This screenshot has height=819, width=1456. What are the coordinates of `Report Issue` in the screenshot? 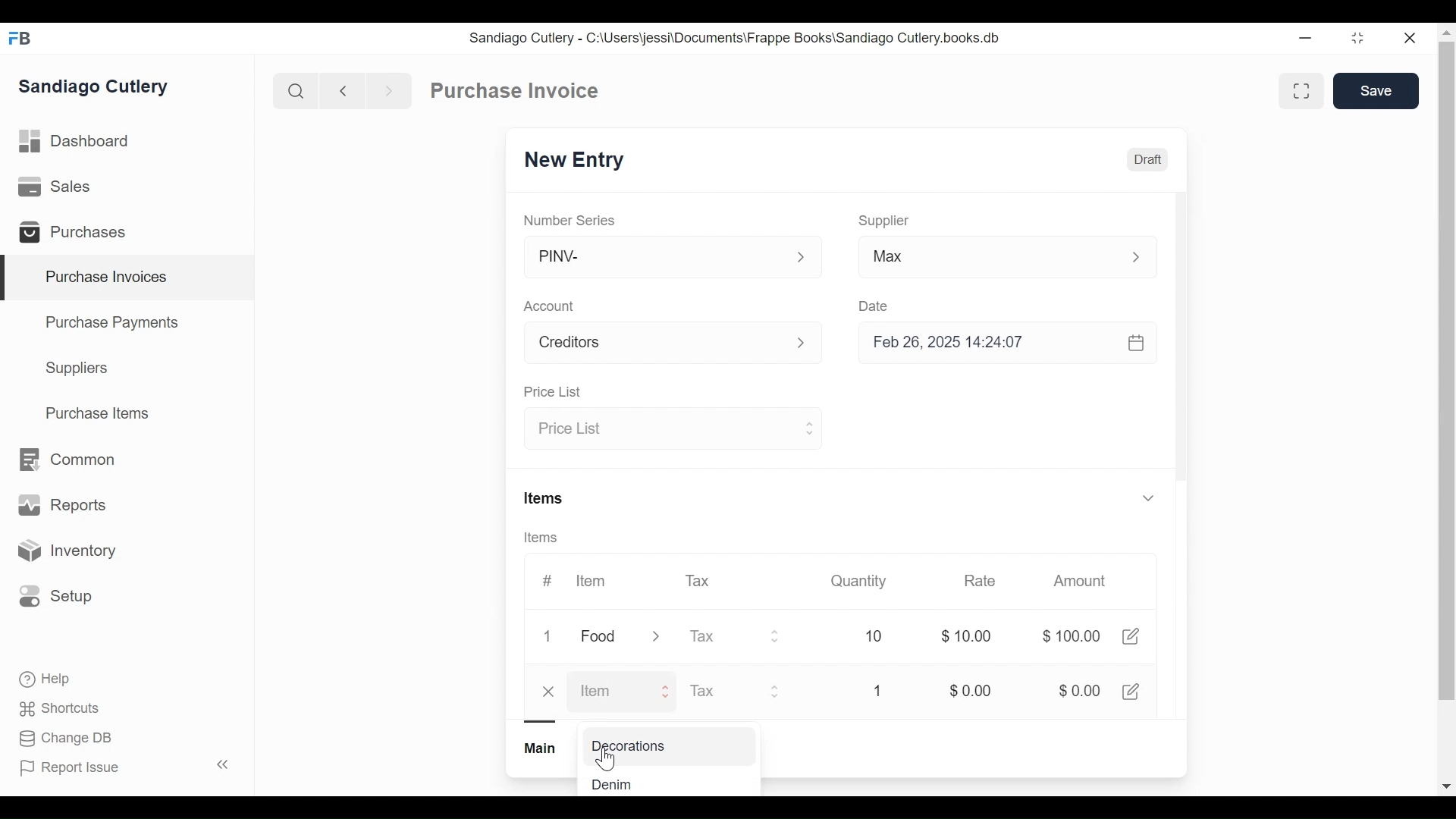 It's located at (124, 767).